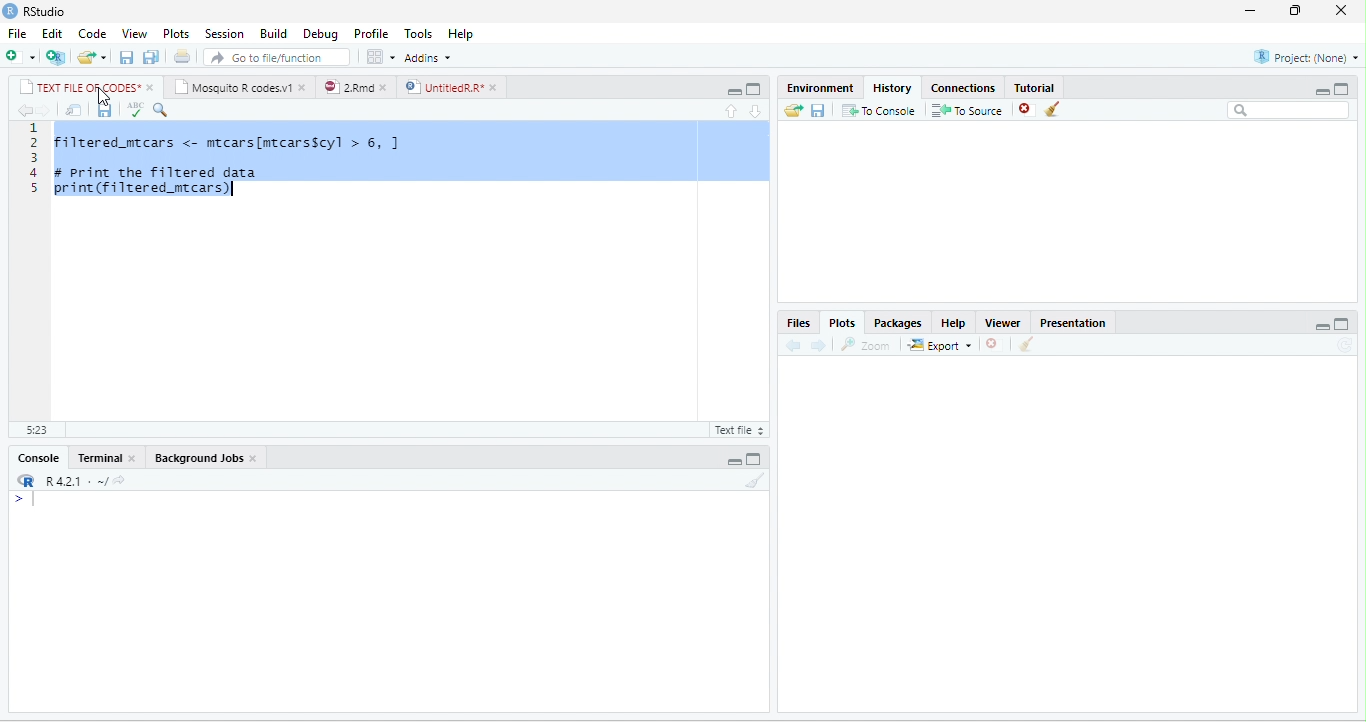 The image size is (1366, 722). I want to click on Help, so click(953, 323).